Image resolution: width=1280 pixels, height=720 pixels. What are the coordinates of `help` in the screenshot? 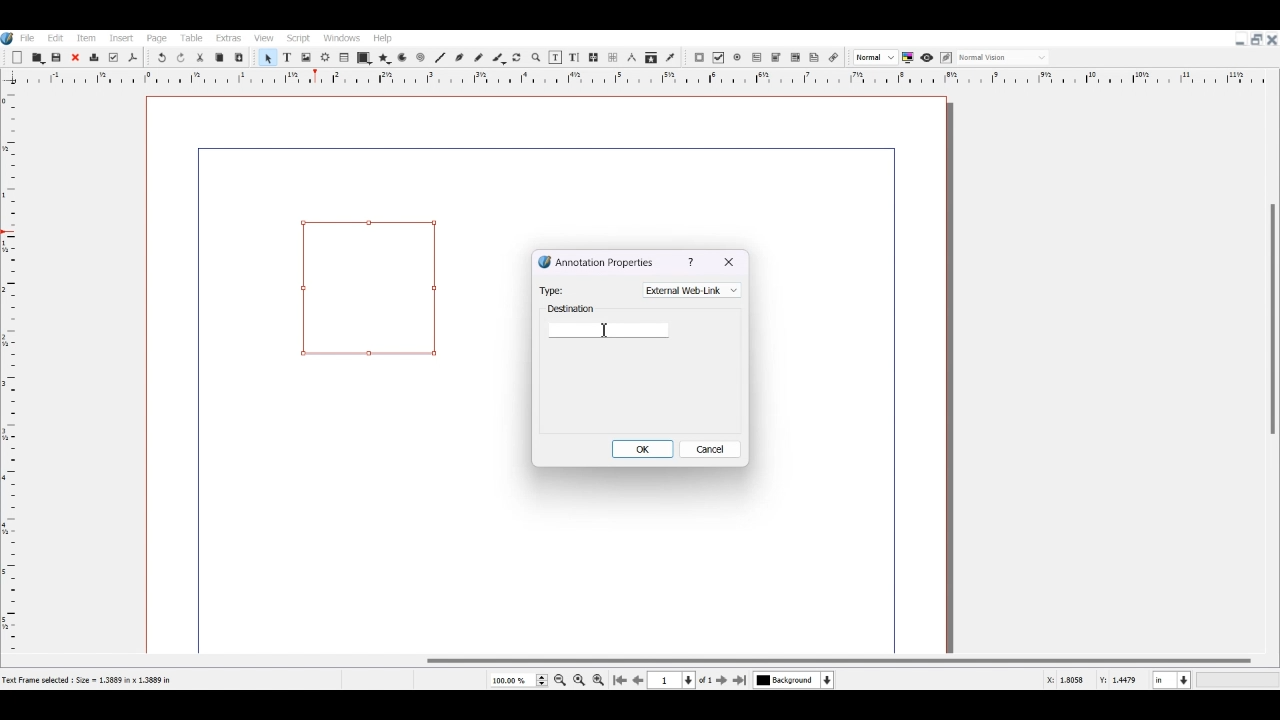 It's located at (693, 262).